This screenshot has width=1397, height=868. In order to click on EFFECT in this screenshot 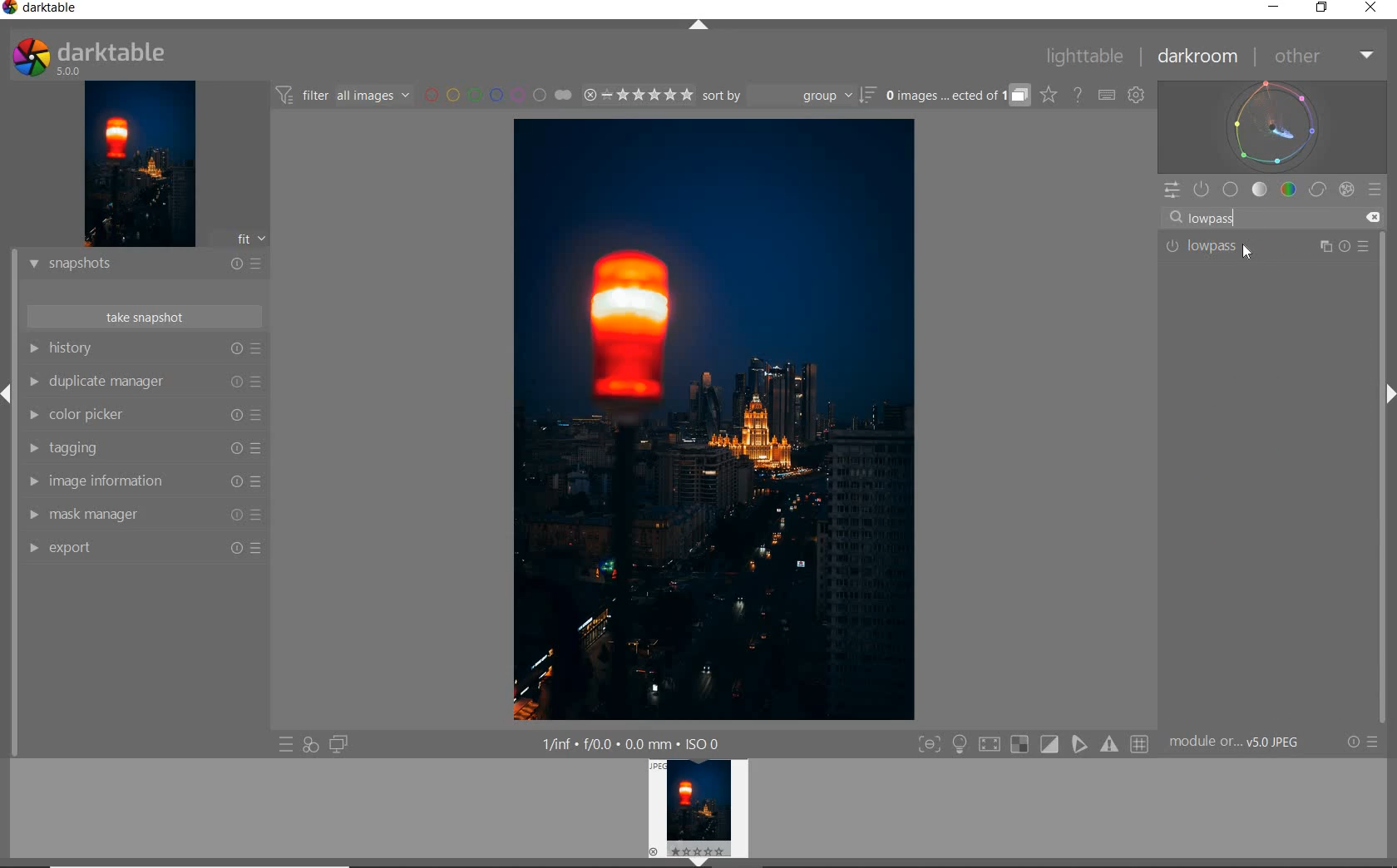, I will do `click(1346, 189)`.